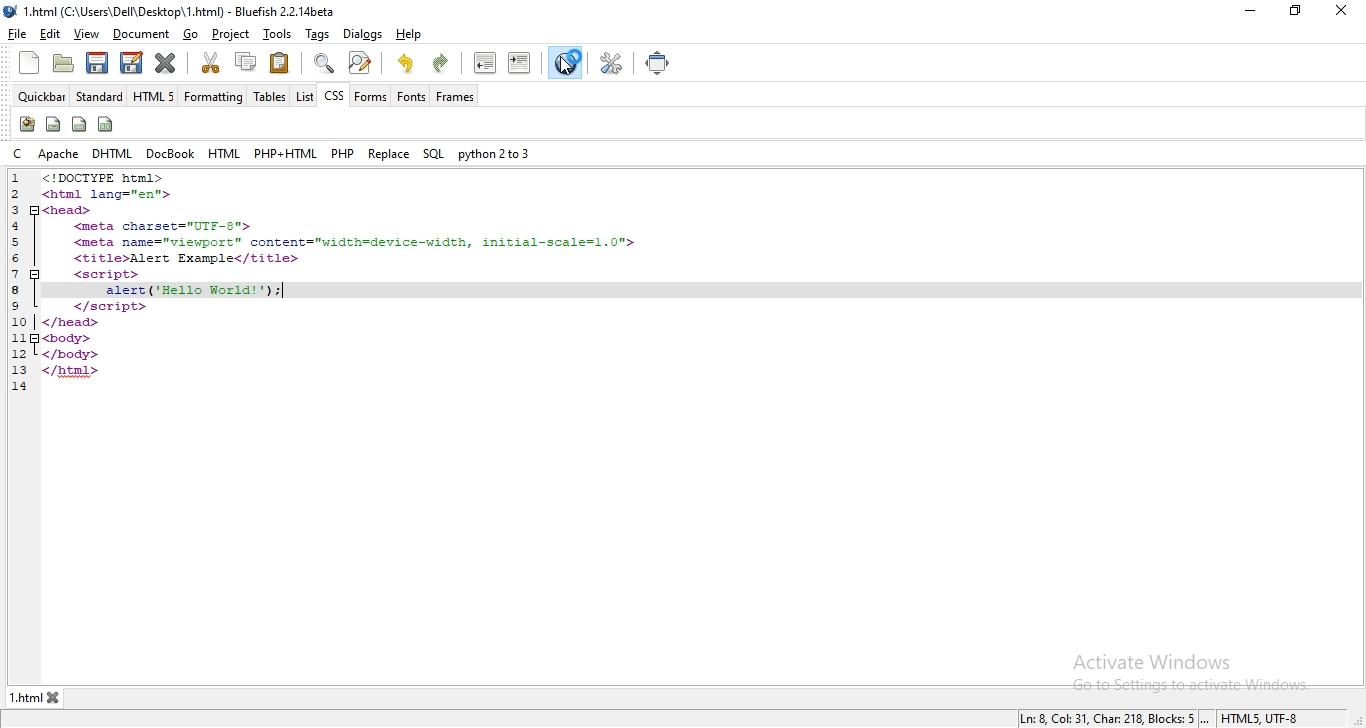 This screenshot has height=728, width=1366. I want to click on close, so click(1342, 11).